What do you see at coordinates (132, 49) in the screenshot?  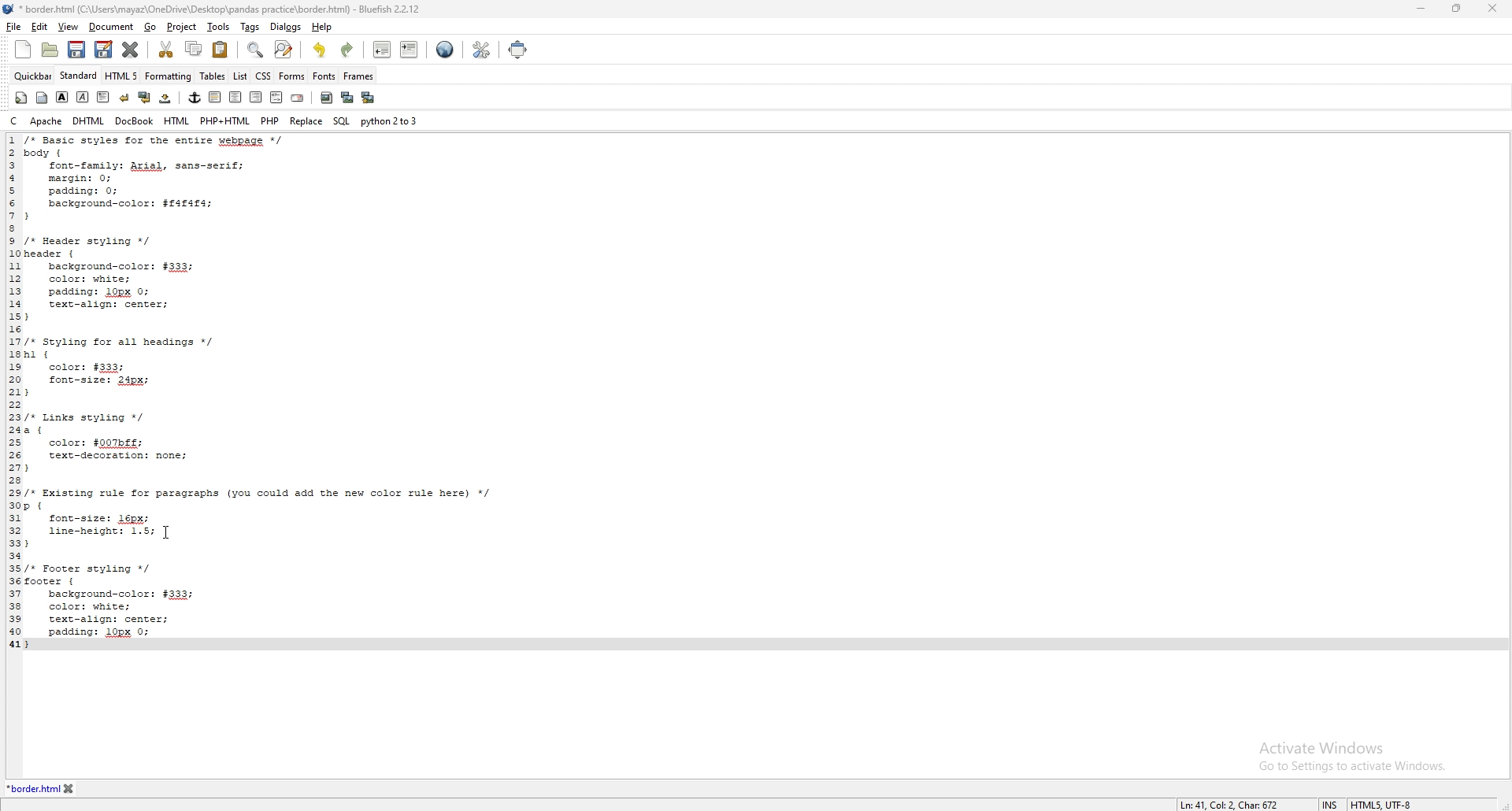 I see `close current tab` at bounding box center [132, 49].